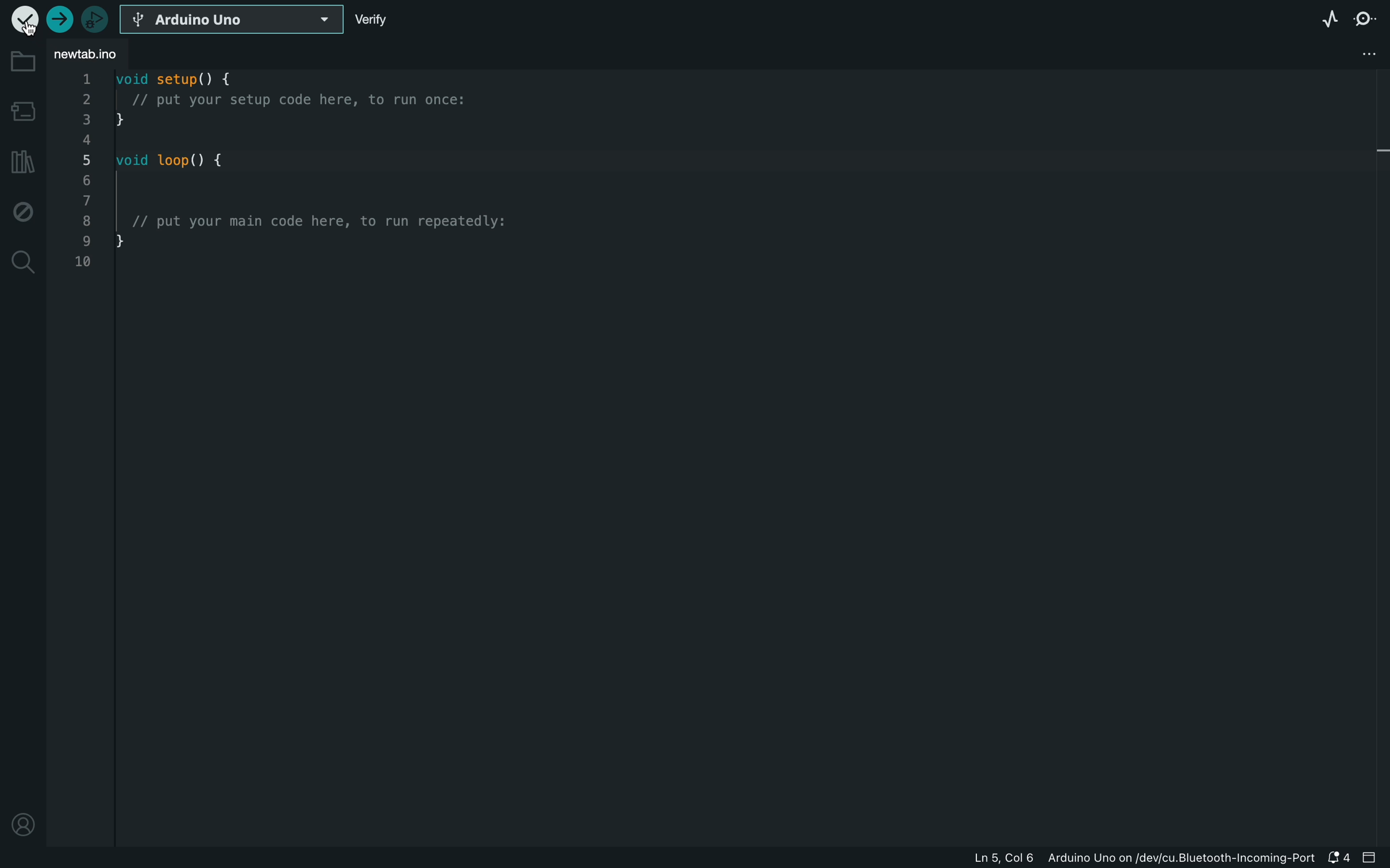 The height and width of the screenshot is (868, 1390). I want to click on debug, so click(20, 208).